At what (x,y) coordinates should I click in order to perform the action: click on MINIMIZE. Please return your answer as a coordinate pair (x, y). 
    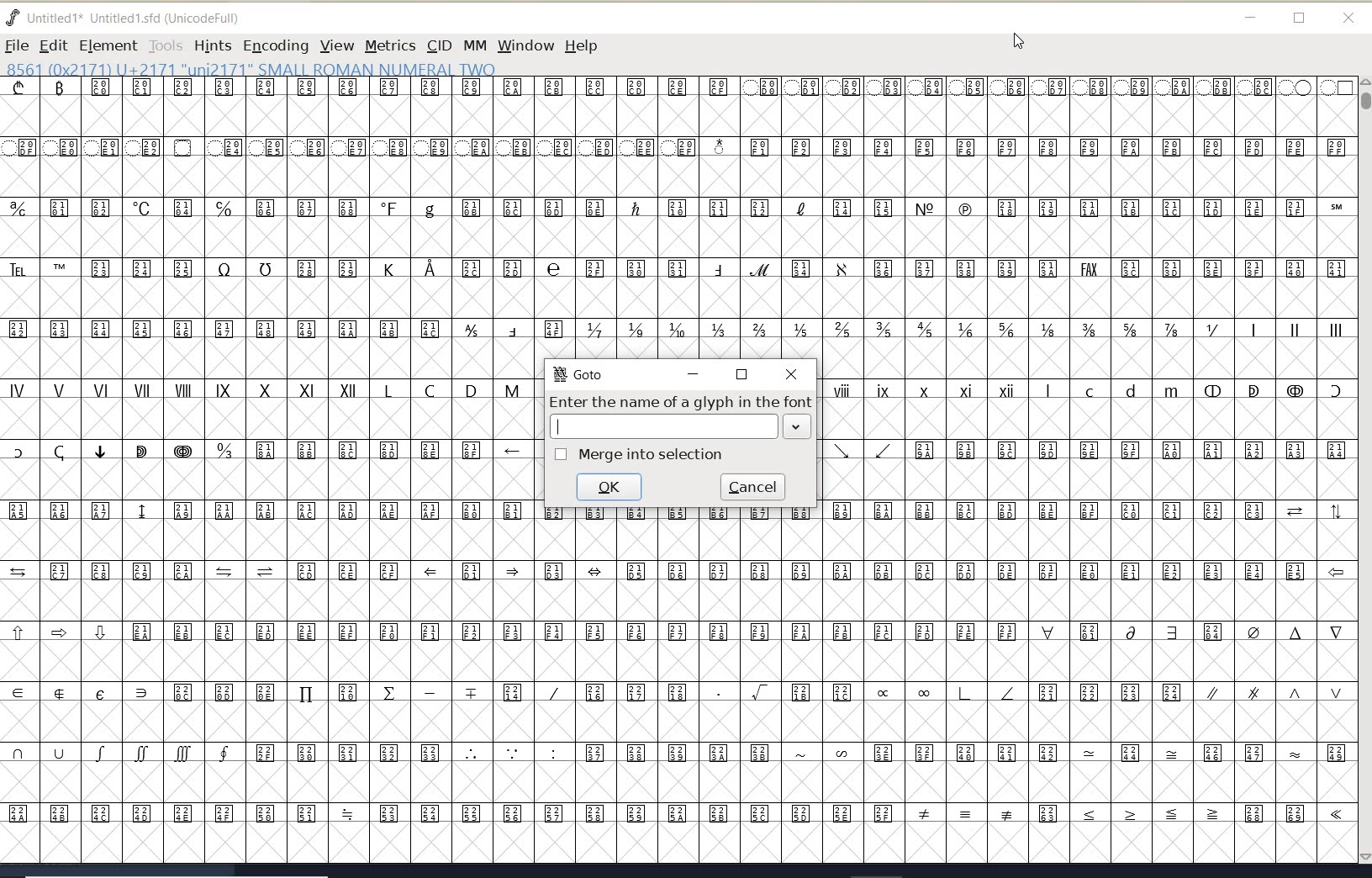
    Looking at the image, I should click on (692, 373).